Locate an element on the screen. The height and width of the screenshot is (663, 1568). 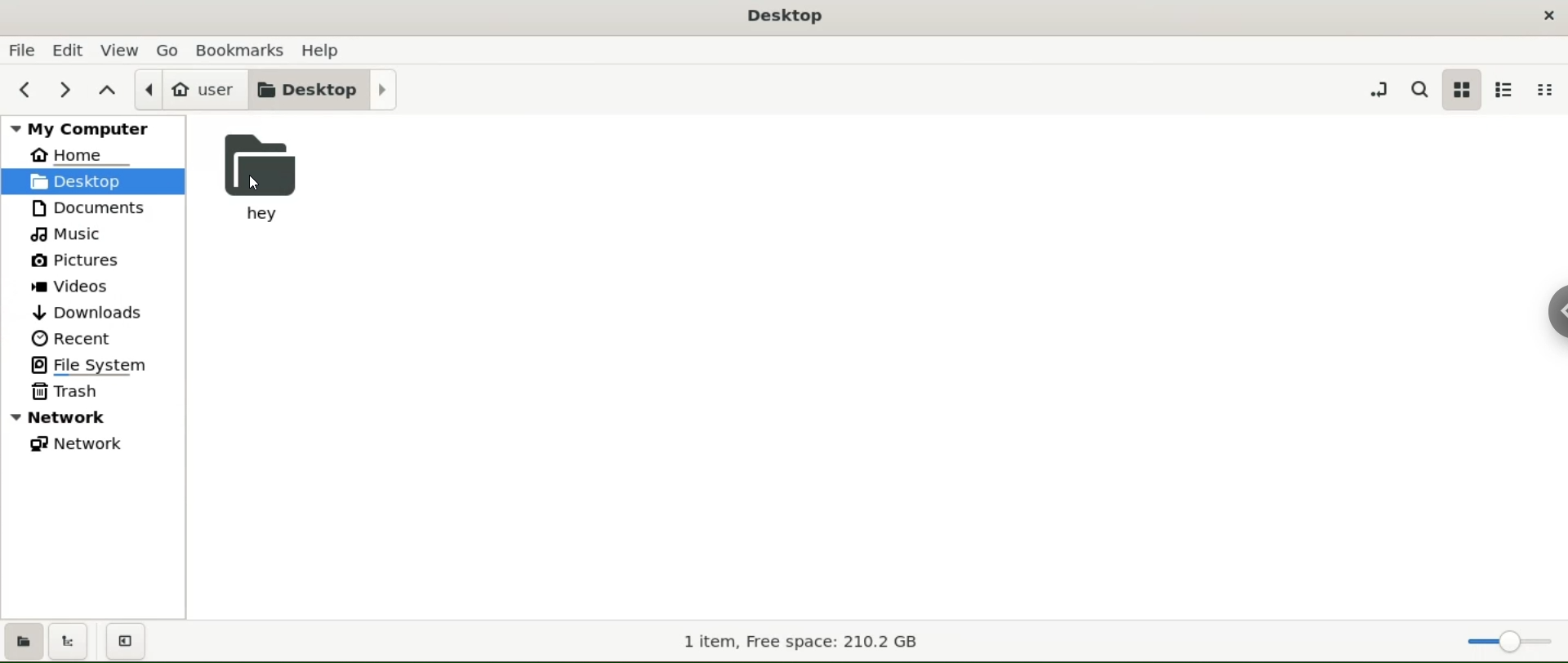
hey folder is located at coordinates (277, 178).